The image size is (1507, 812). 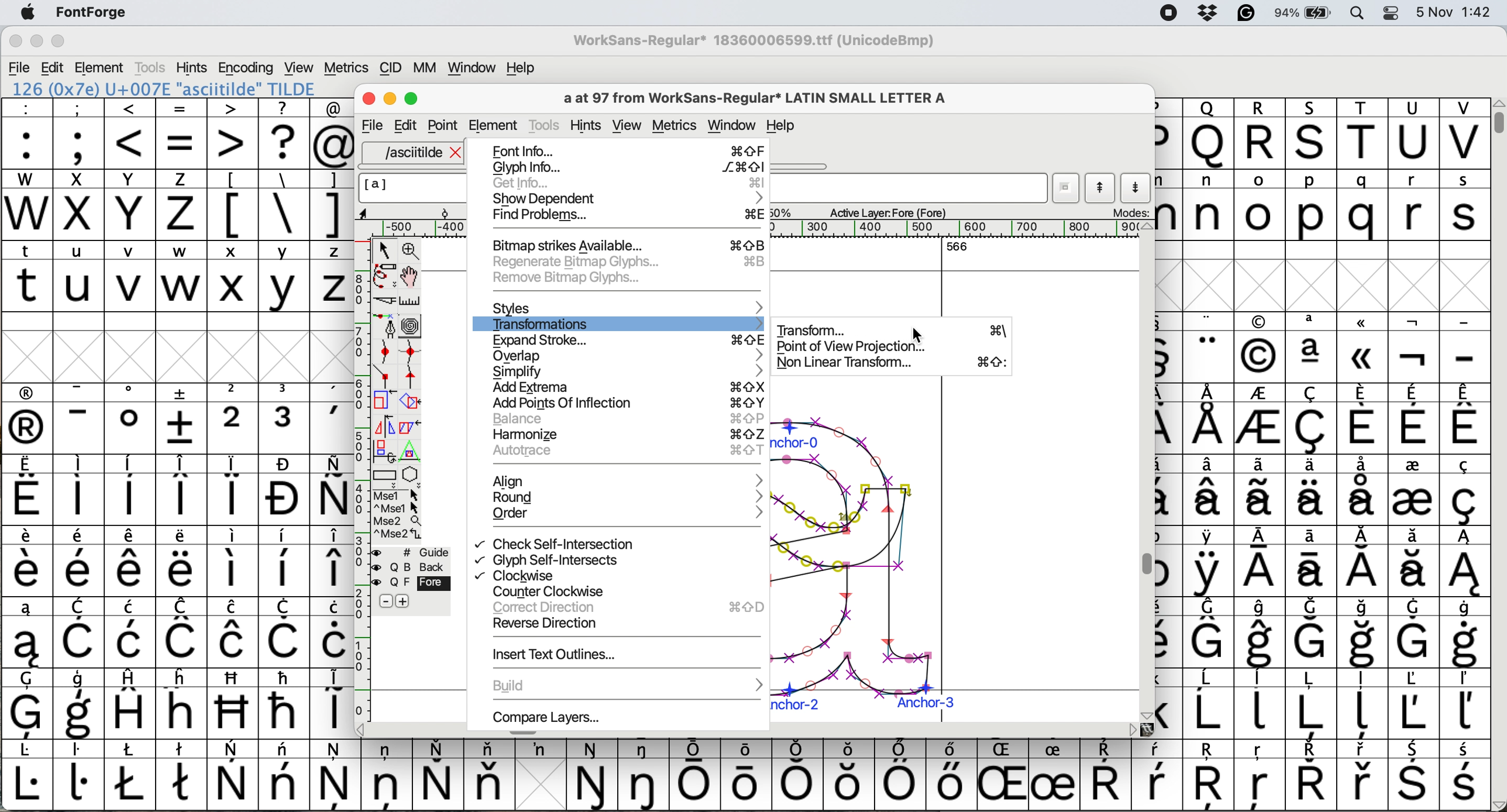 What do you see at coordinates (28, 491) in the screenshot?
I see `symbol` at bounding box center [28, 491].